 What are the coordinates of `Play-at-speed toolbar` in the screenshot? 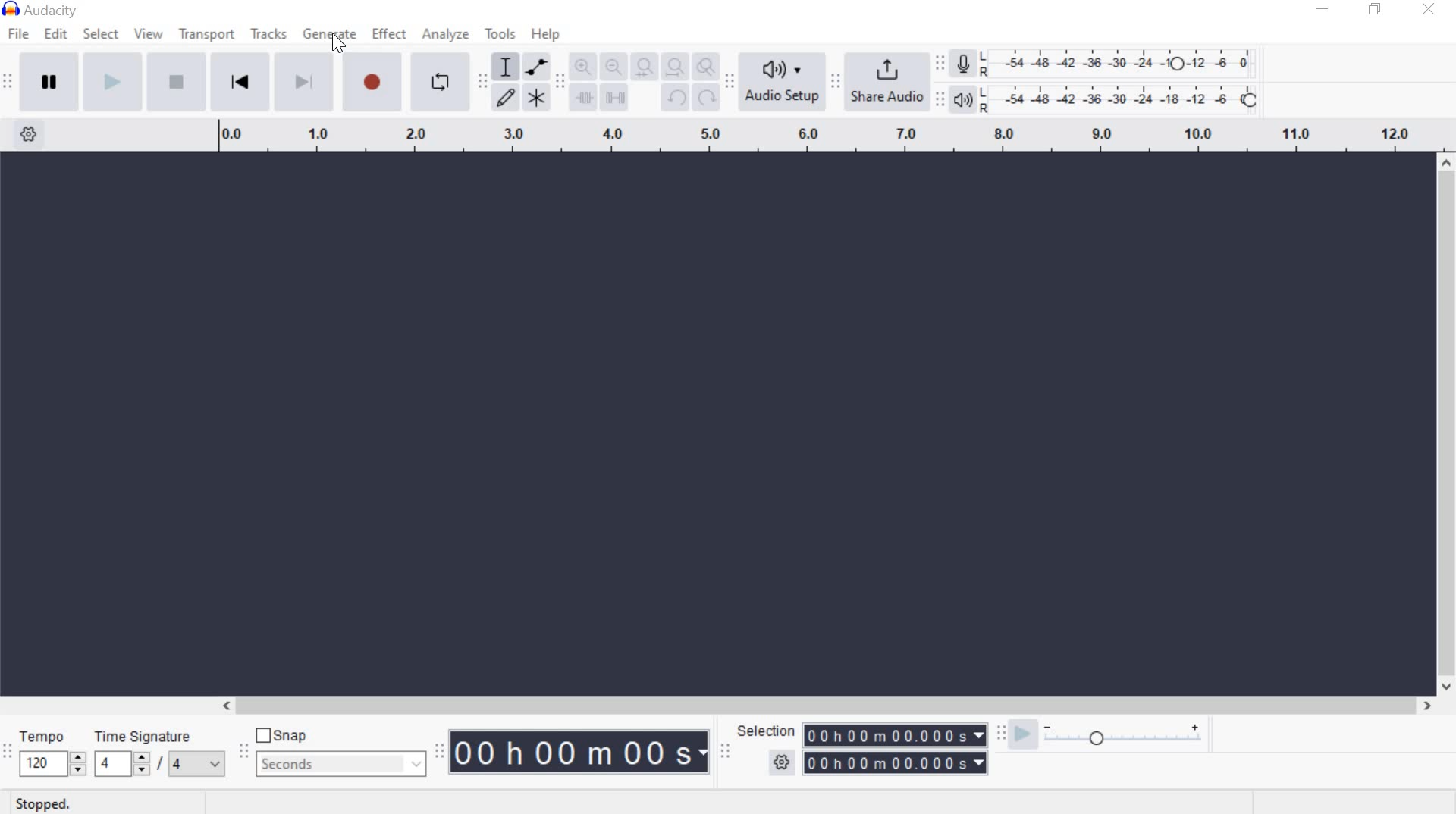 It's located at (997, 734).